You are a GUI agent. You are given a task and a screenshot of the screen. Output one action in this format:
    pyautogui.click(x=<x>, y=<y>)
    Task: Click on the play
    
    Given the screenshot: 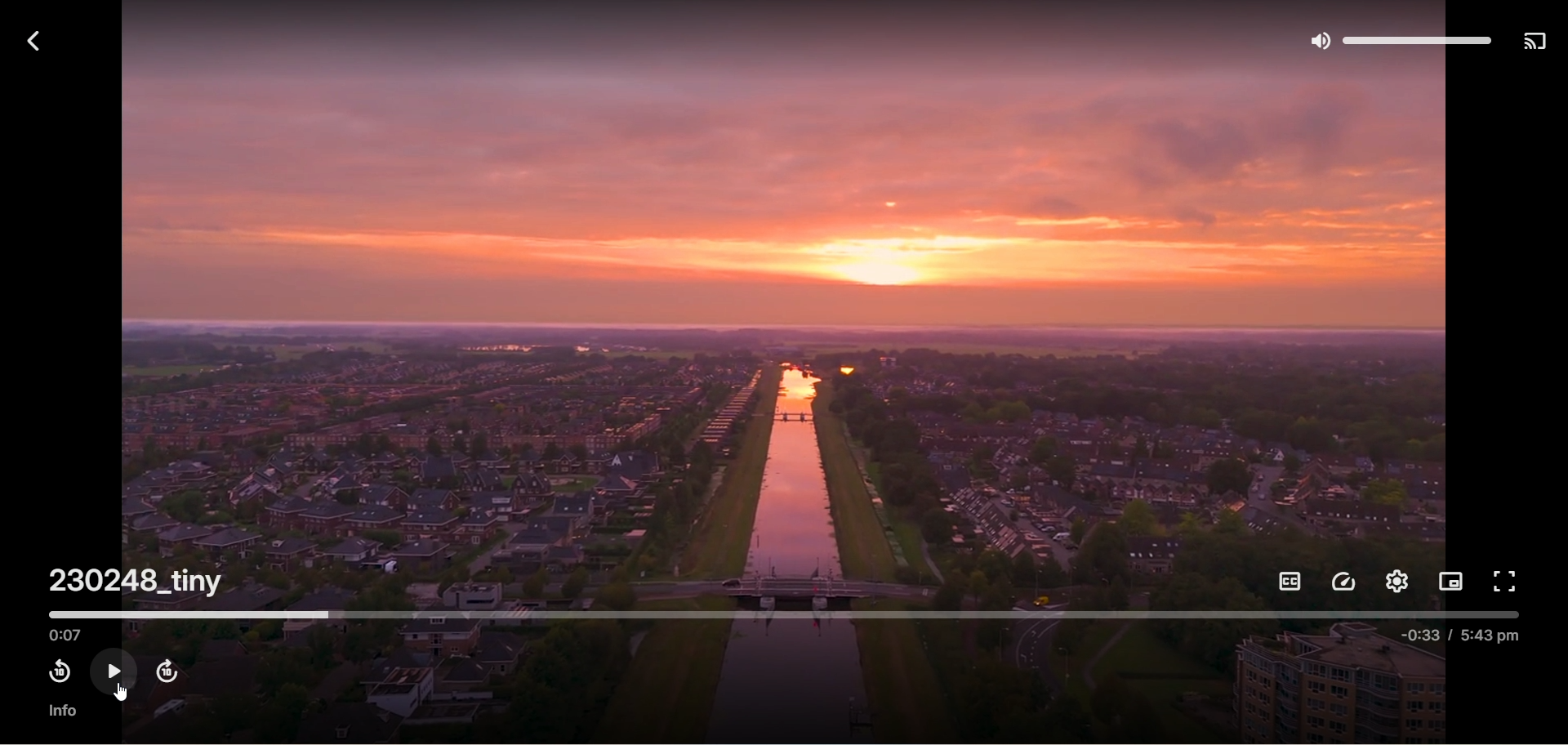 What is the action you would take?
    pyautogui.click(x=112, y=670)
    